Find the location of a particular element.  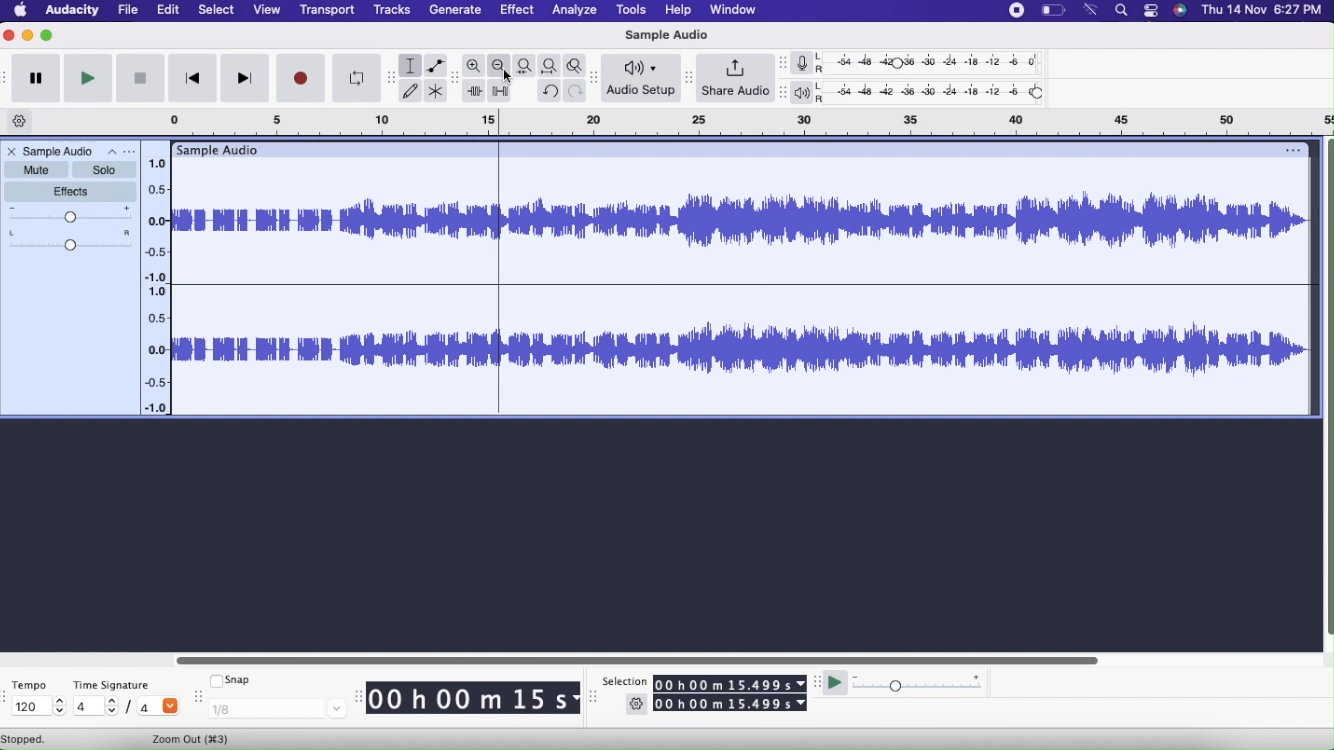

Time Signature is located at coordinates (114, 685).